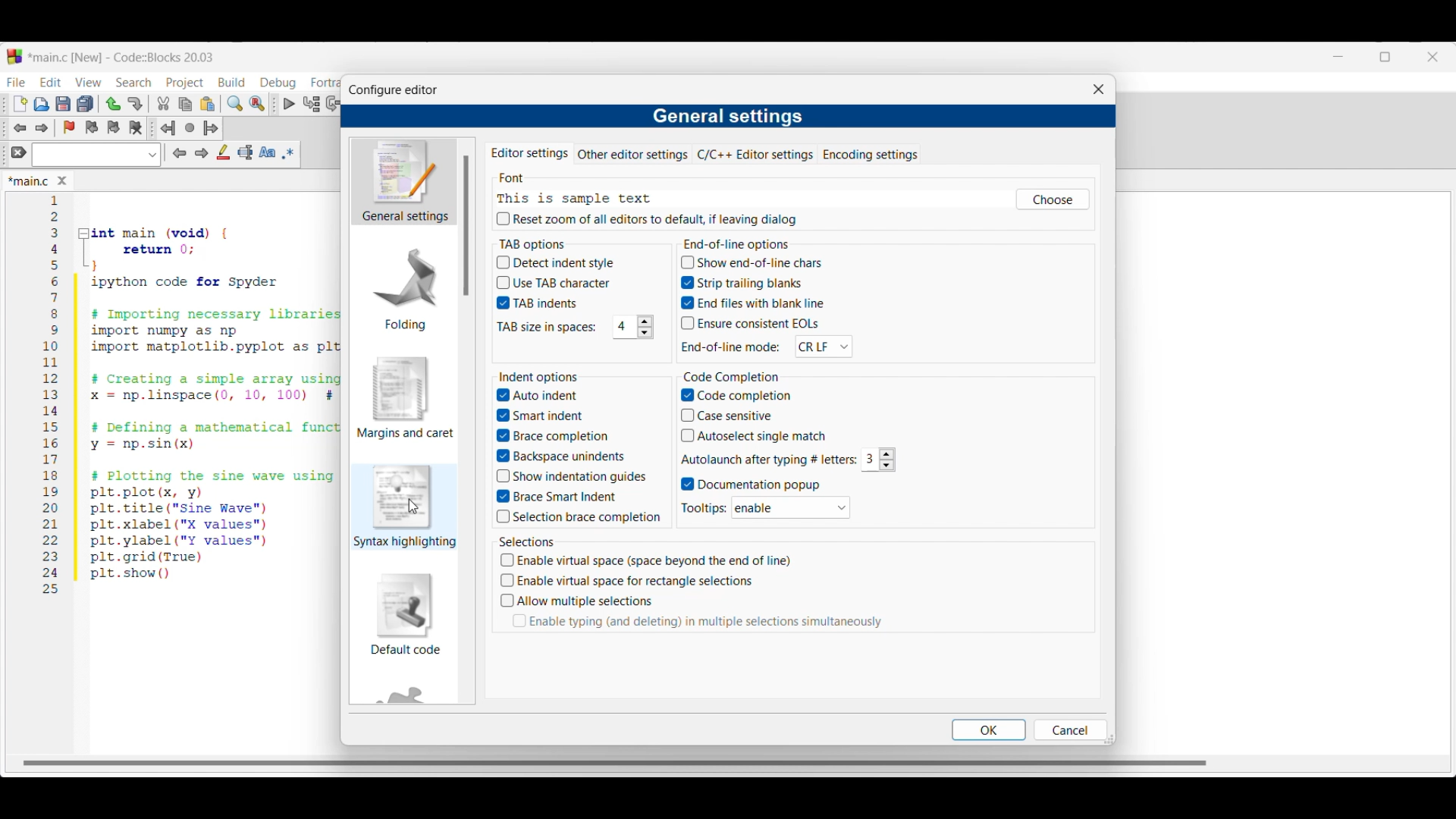  Describe the element at coordinates (1432, 57) in the screenshot. I see `Close interface` at that location.